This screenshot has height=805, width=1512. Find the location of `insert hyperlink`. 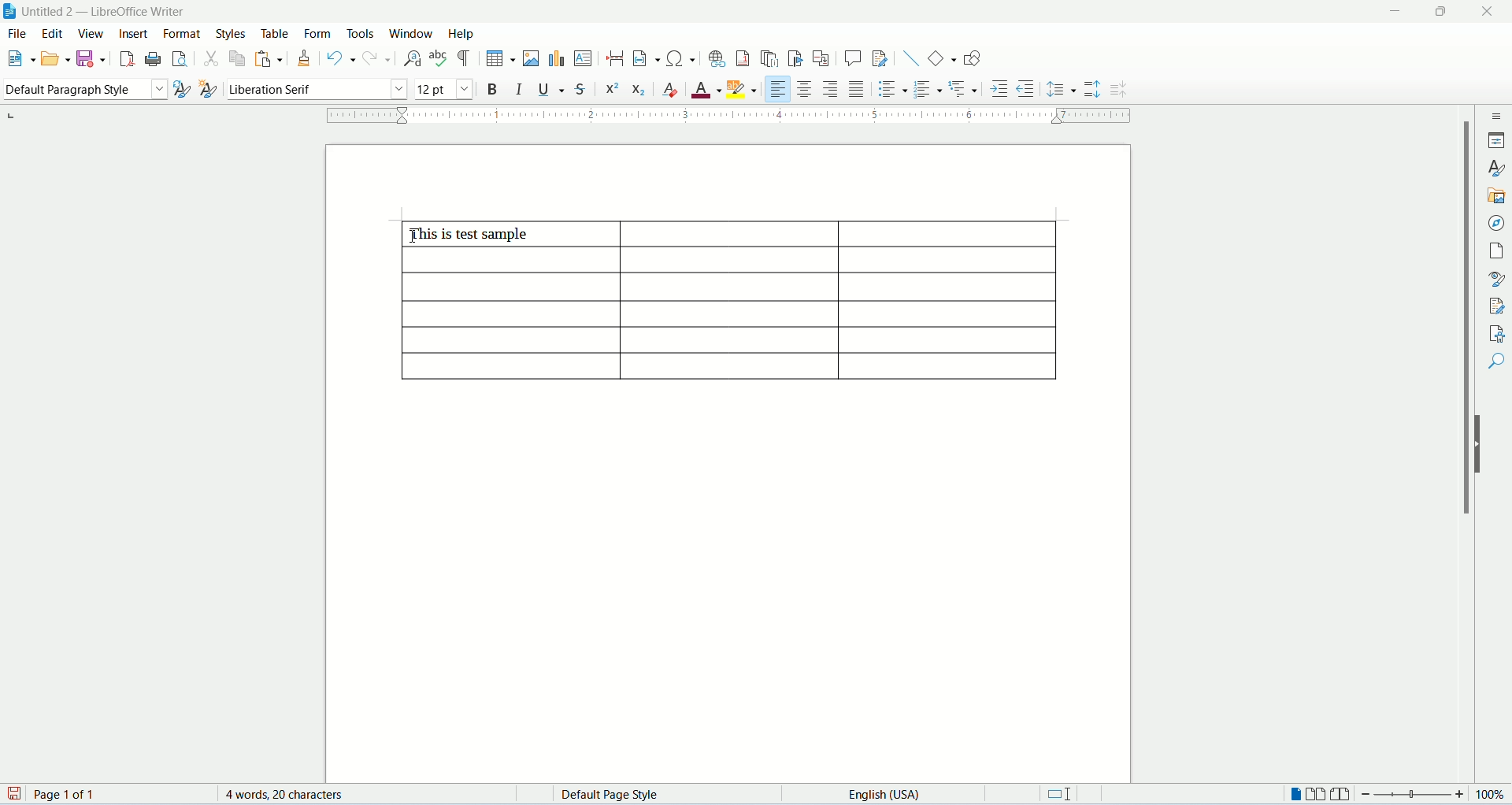

insert hyperlink is located at coordinates (718, 57).